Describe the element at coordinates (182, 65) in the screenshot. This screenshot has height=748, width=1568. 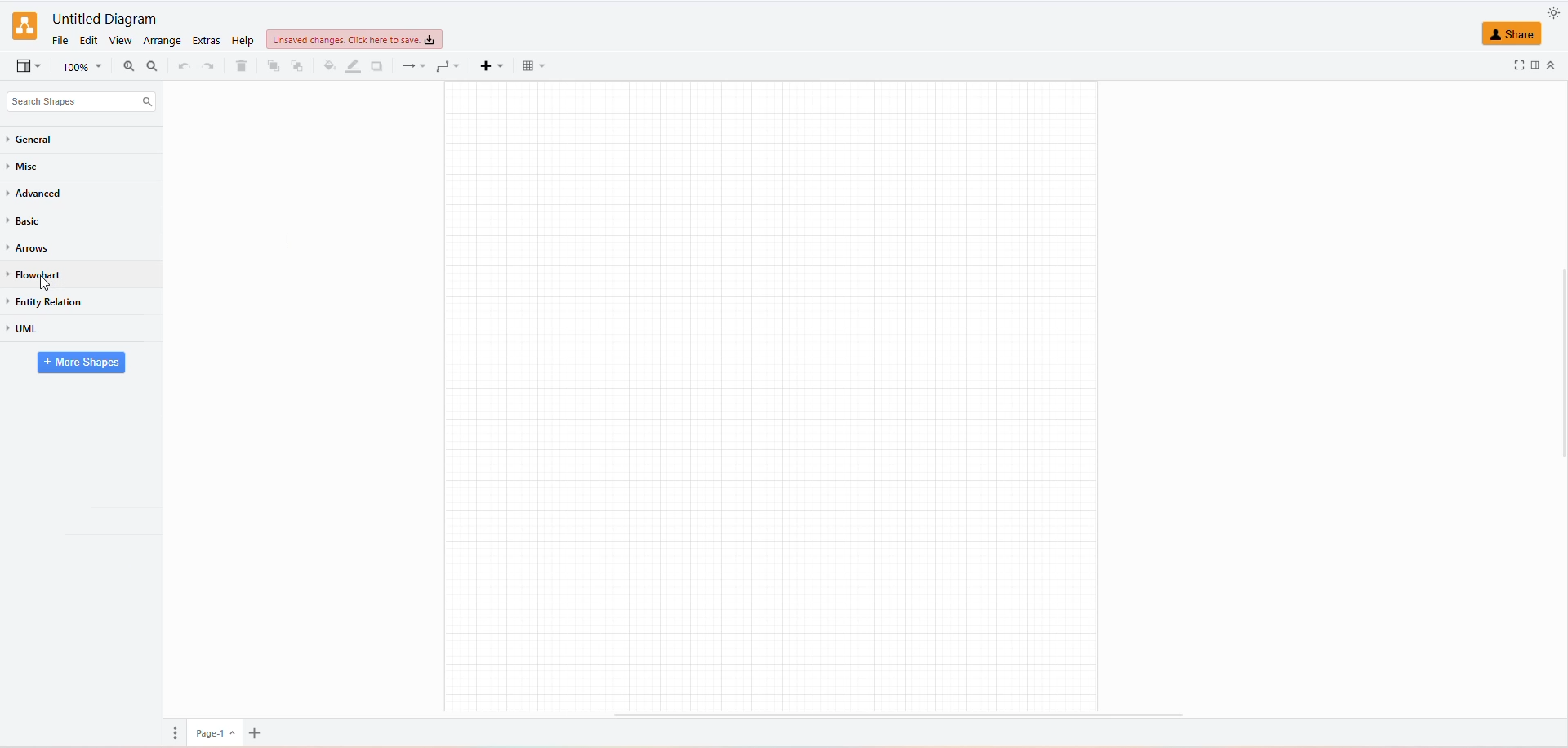
I see `REDO` at that location.